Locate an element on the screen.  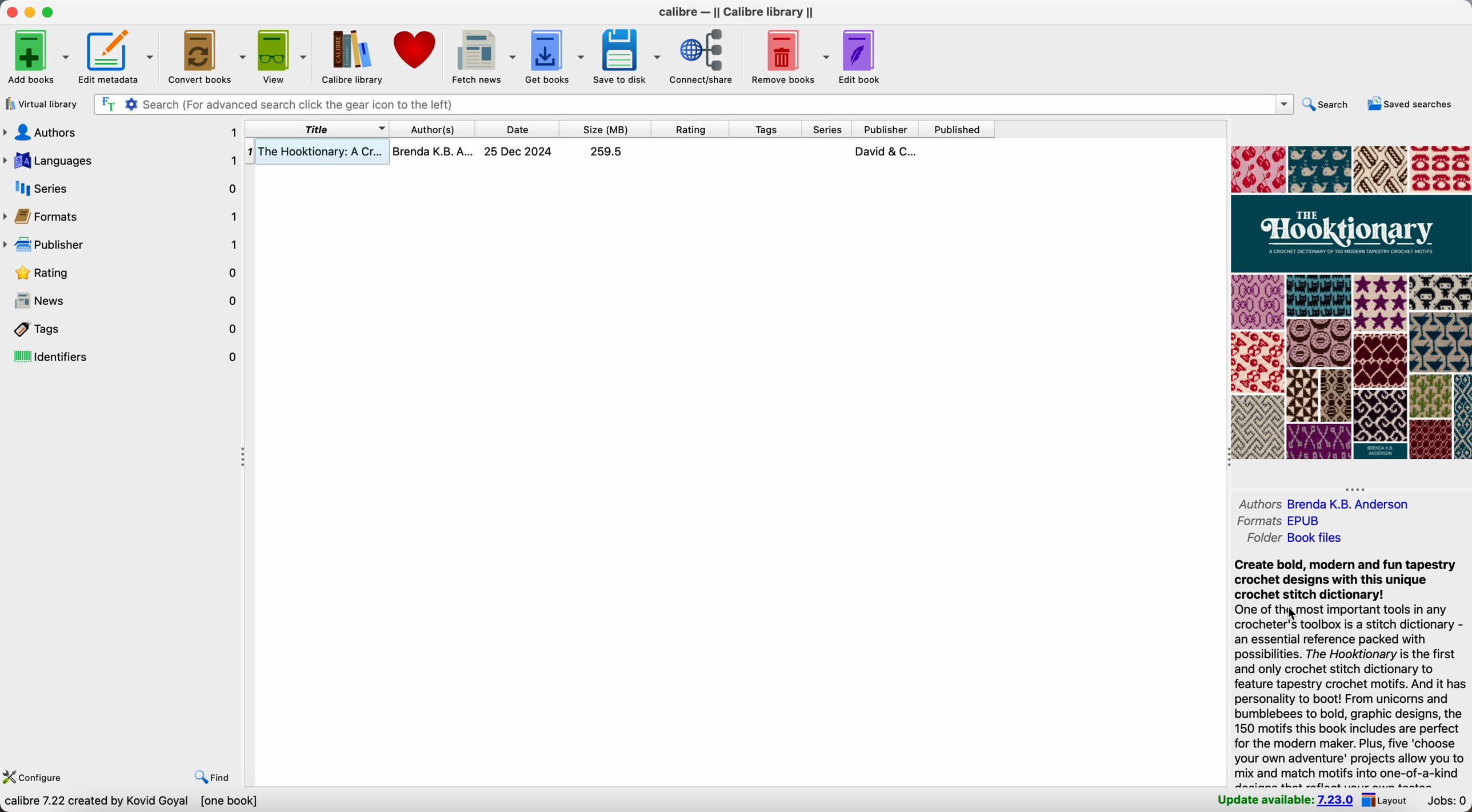
rating is located at coordinates (123, 273).